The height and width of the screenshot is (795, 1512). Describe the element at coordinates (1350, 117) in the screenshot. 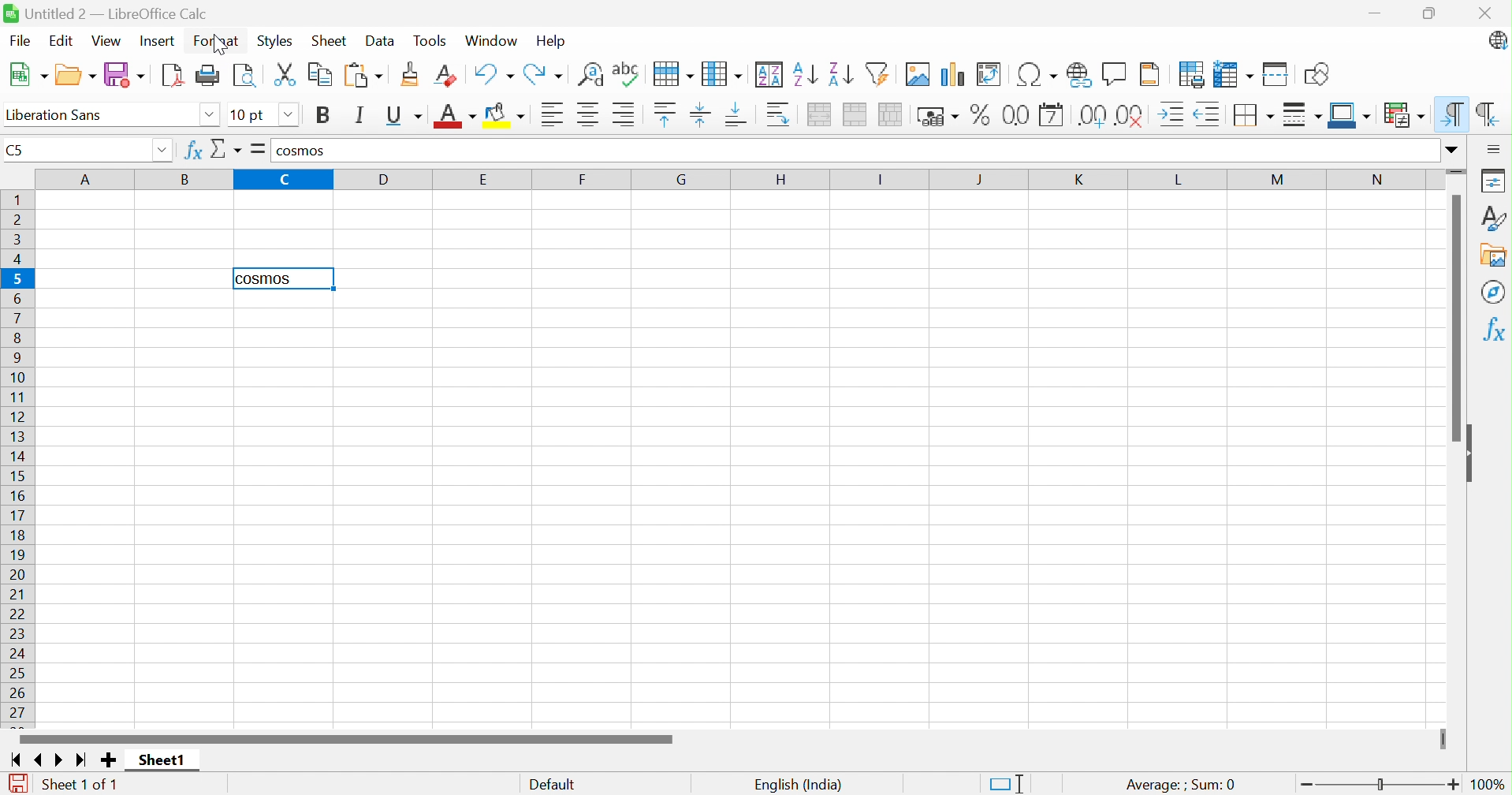

I see `Border color` at that location.